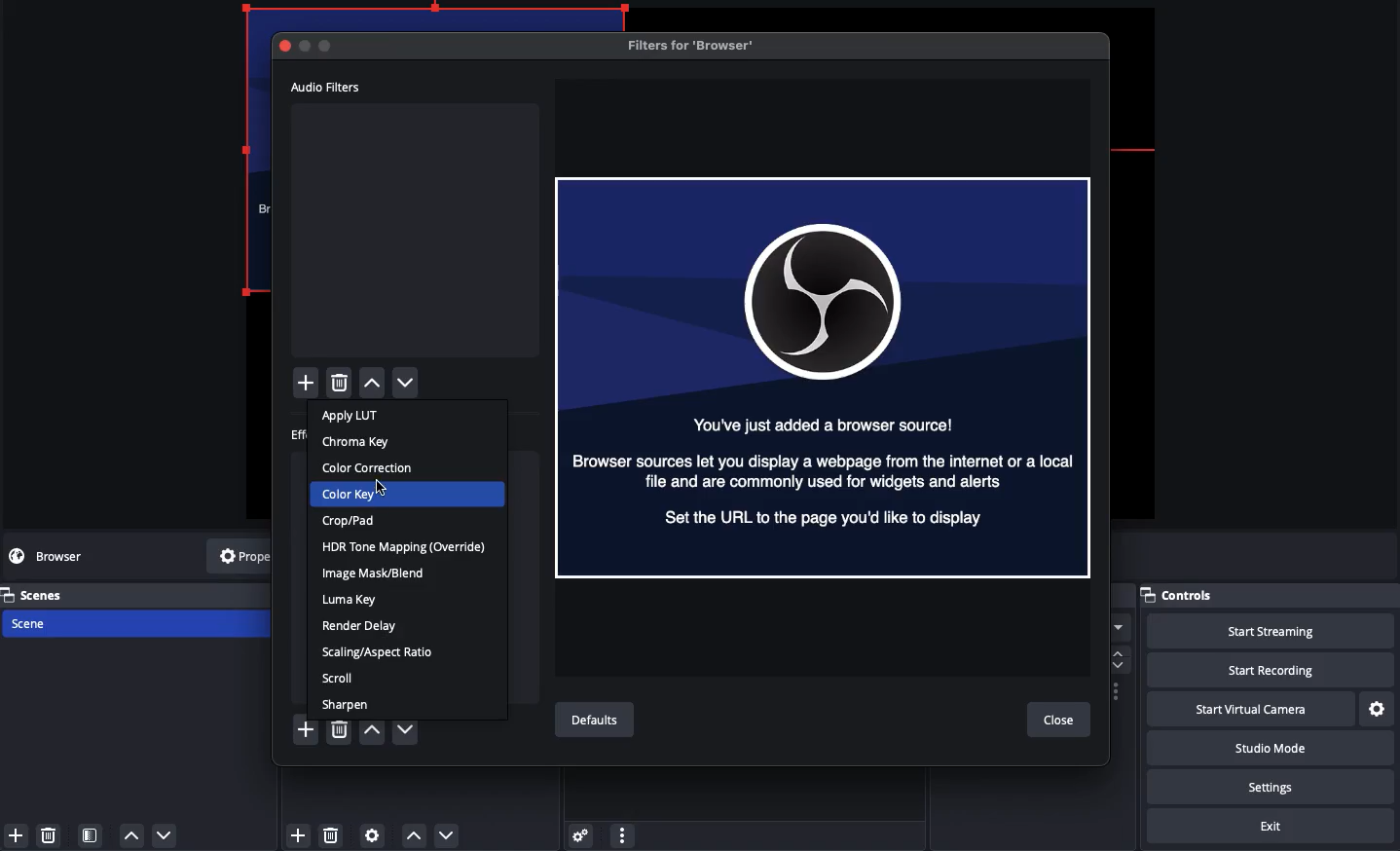 This screenshot has height=851, width=1400. Describe the element at coordinates (1267, 787) in the screenshot. I see `Settings` at that location.